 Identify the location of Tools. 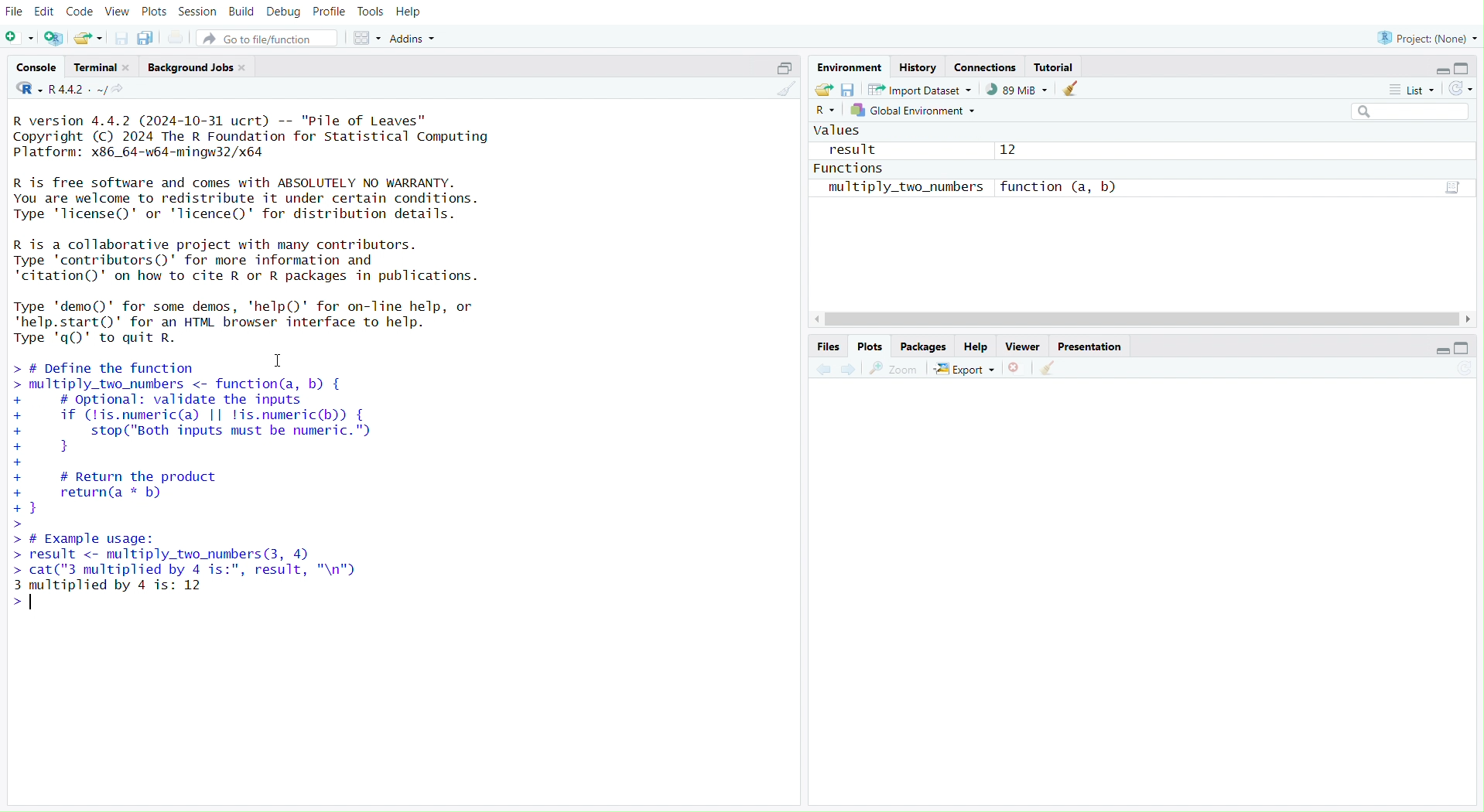
(367, 11).